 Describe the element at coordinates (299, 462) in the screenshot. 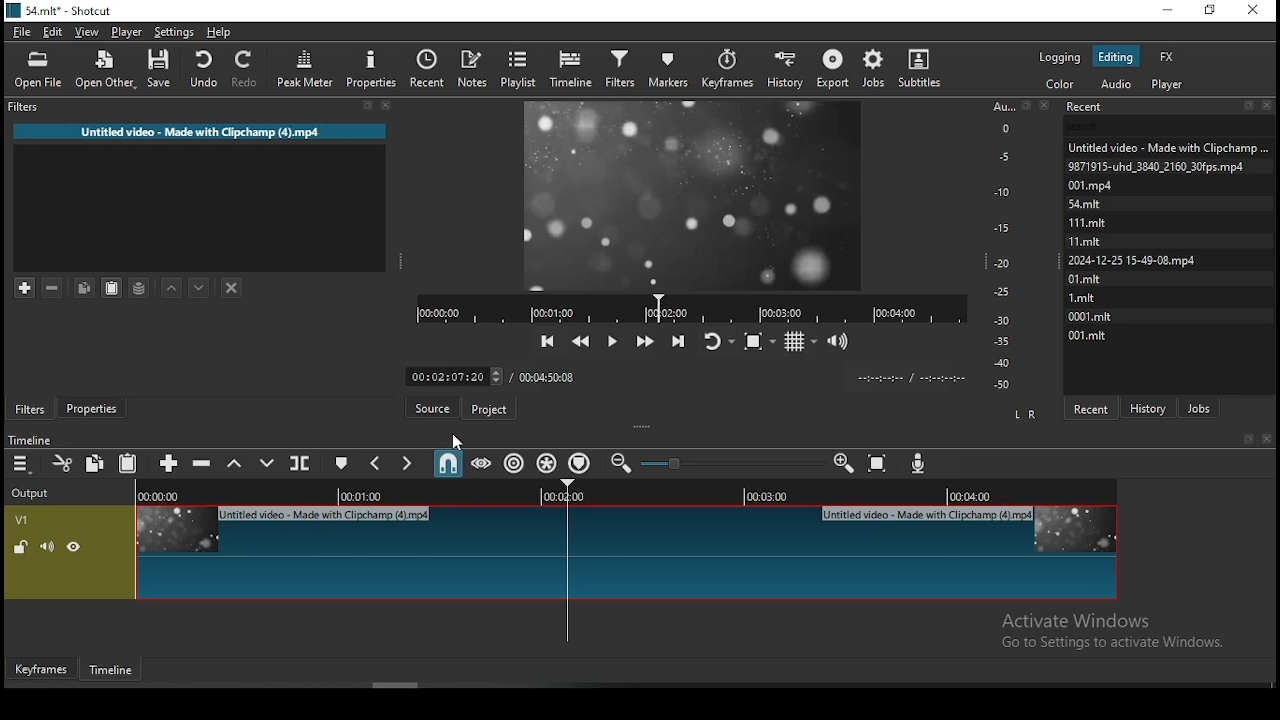

I see `split at playhead` at that location.